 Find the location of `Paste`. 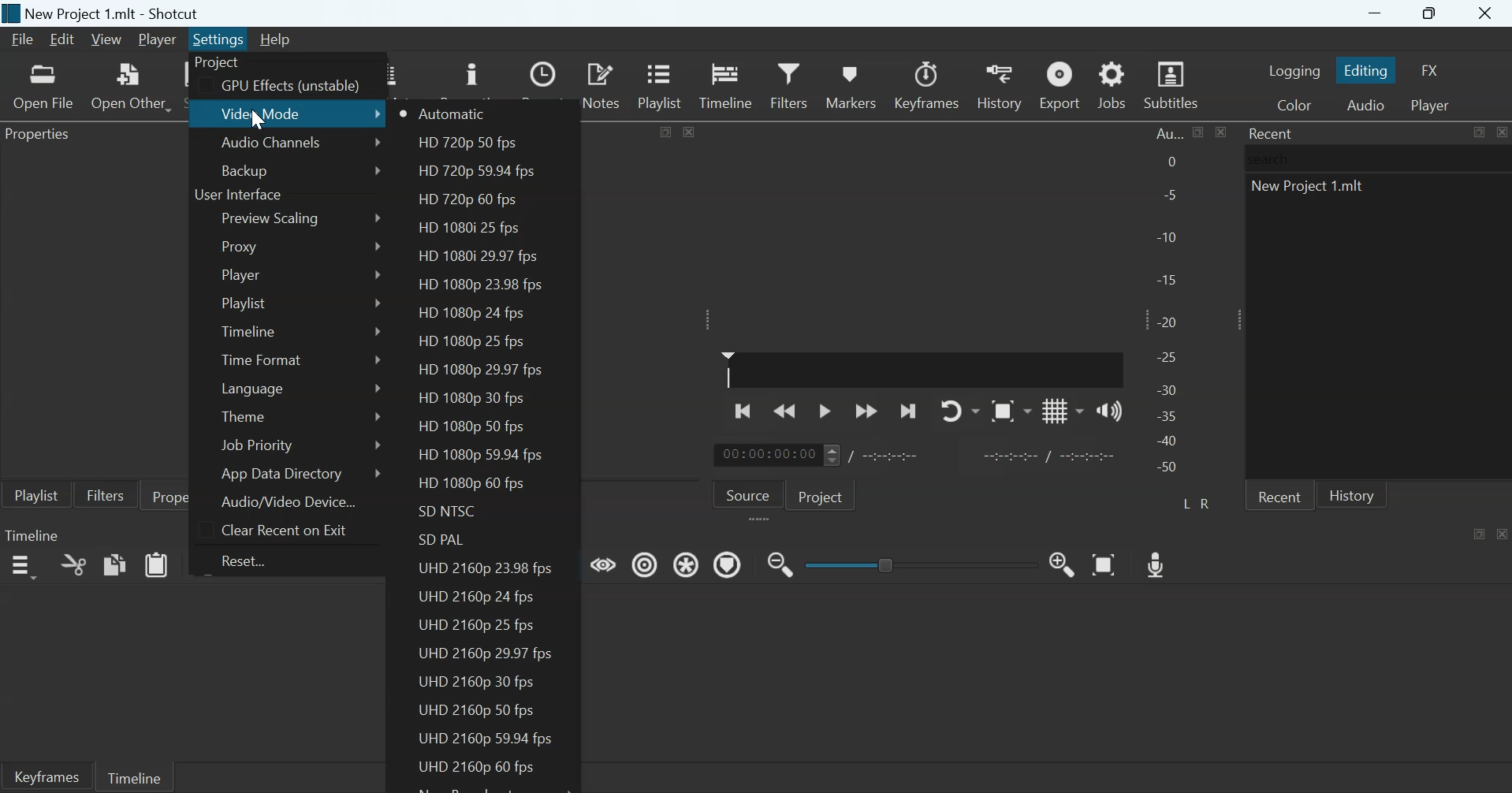

Paste is located at coordinates (157, 564).